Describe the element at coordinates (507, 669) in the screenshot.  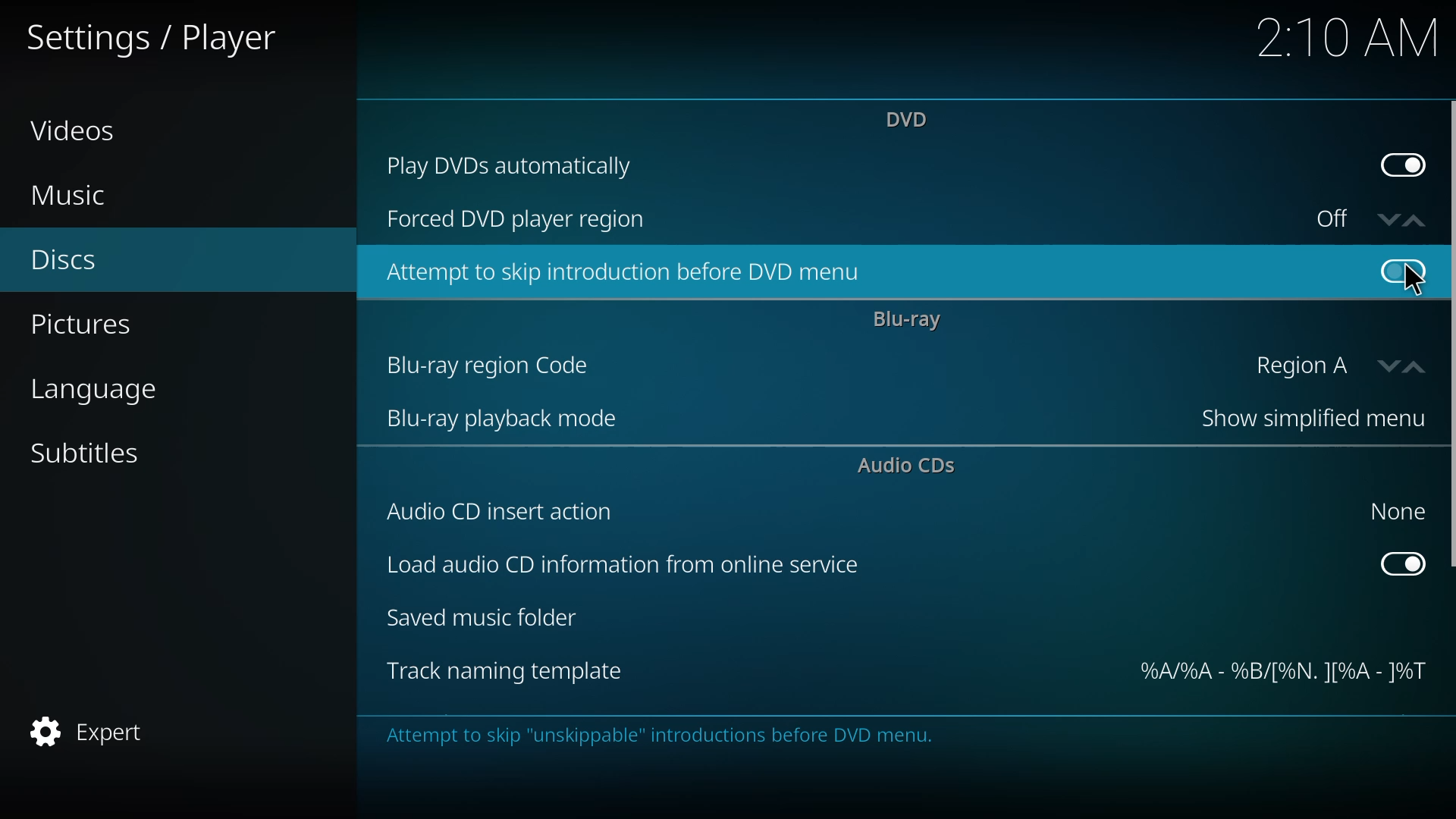
I see `track naming template` at that location.